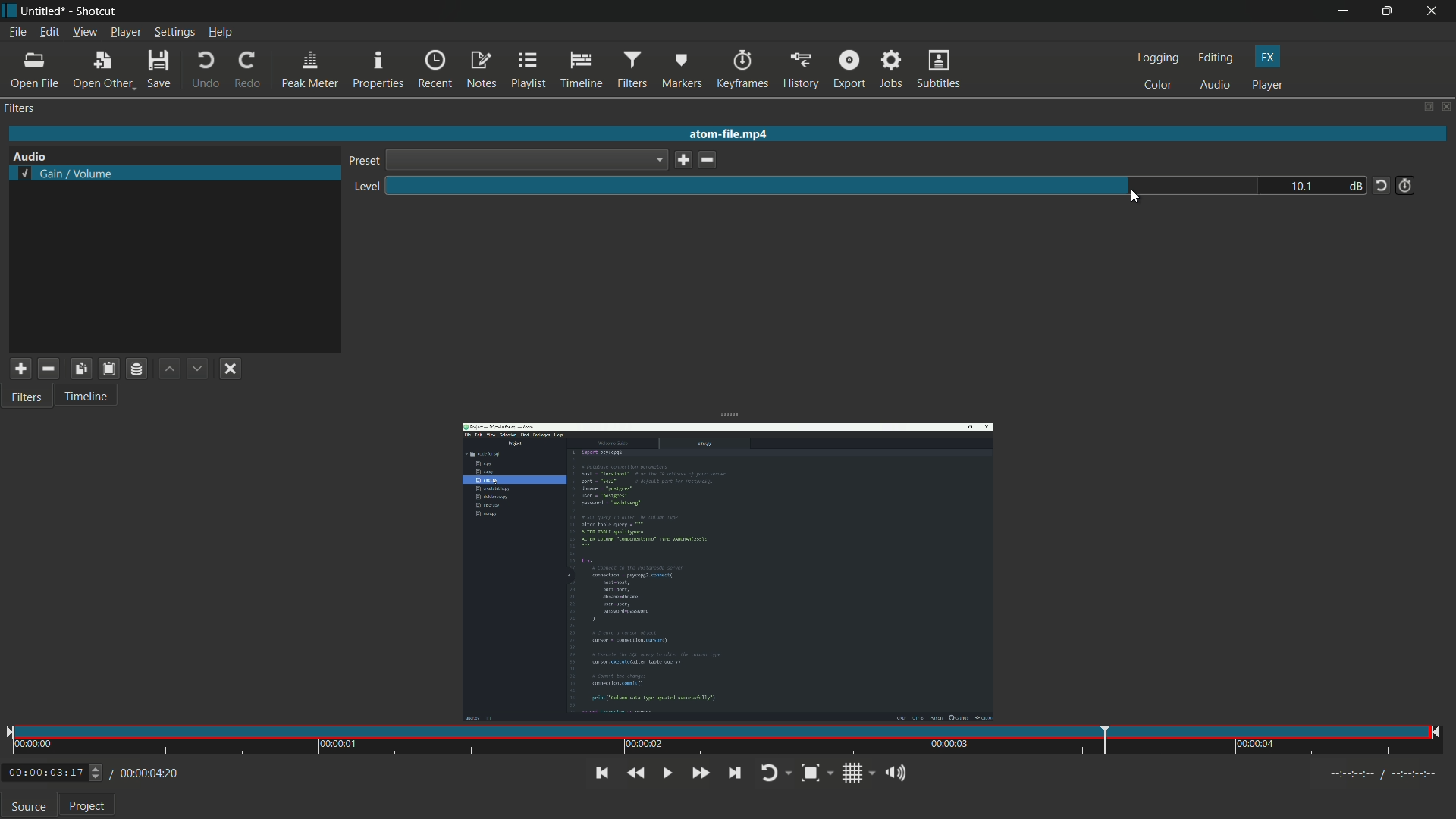 This screenshot has width=1456, height=819. I want to click on close app, so click(1435, 11).